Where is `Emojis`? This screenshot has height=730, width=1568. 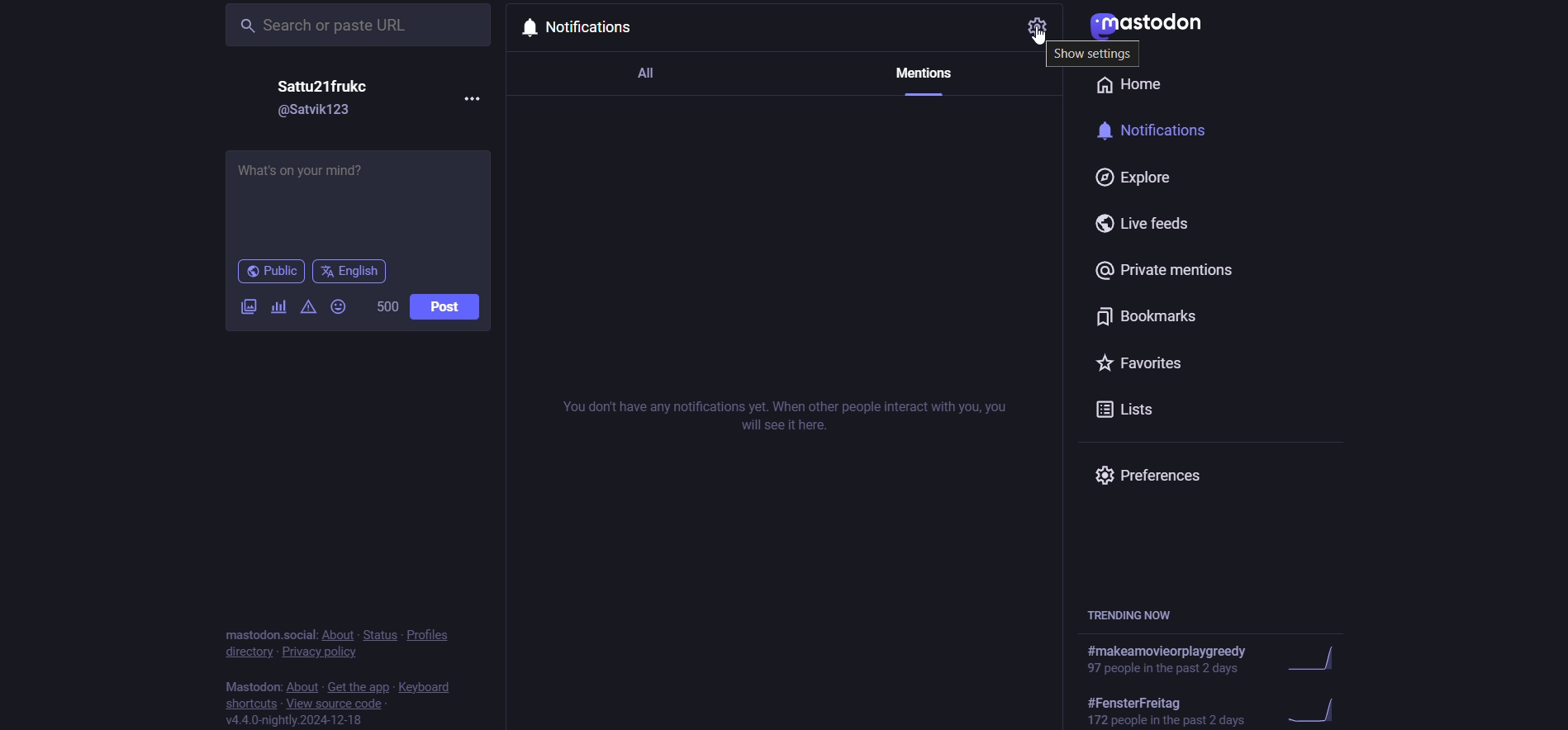 Emojis is located at coordinates (338, 306).